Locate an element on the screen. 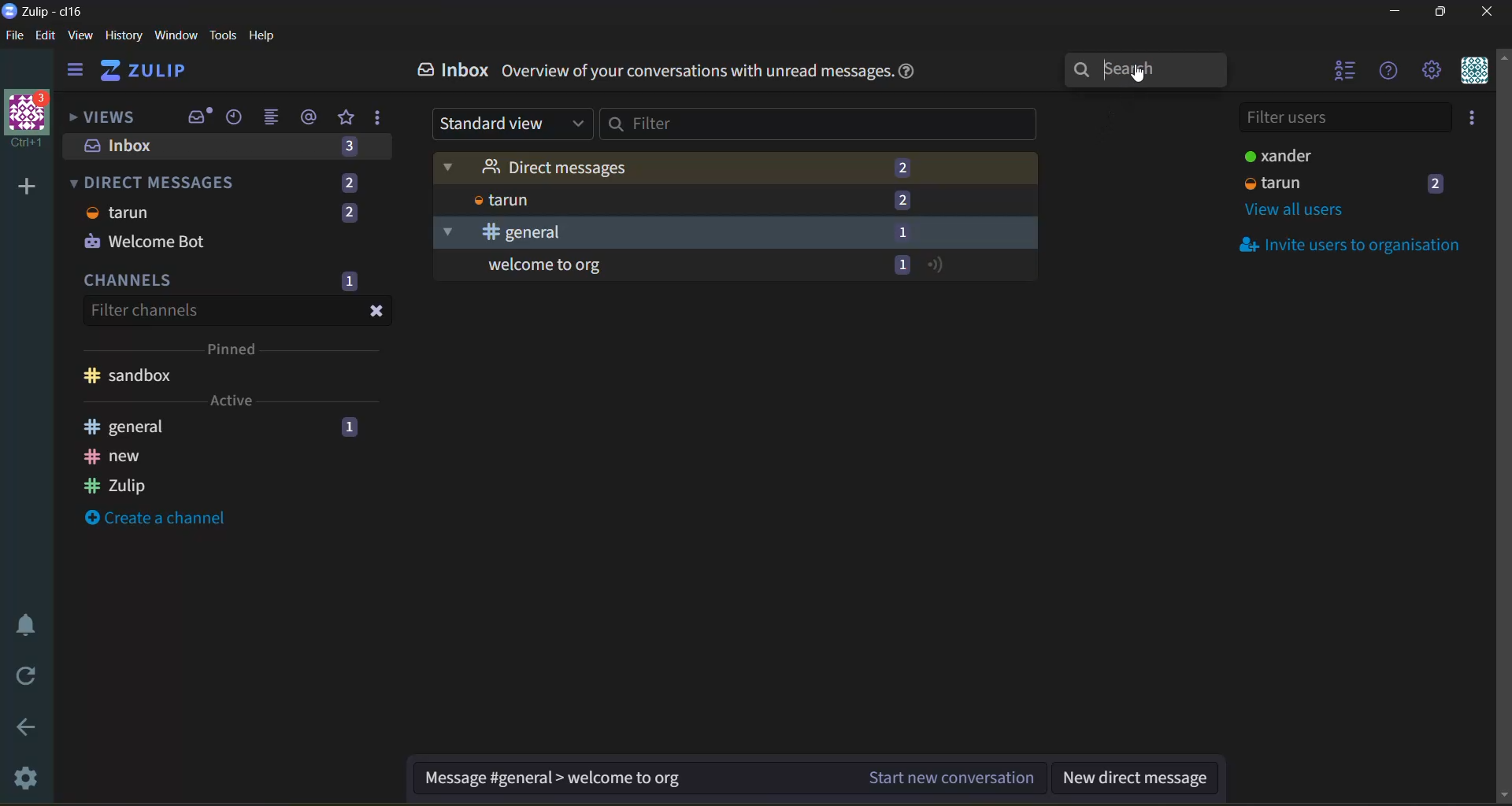  Zulip-cl16 is located at coordinates (46, 10).